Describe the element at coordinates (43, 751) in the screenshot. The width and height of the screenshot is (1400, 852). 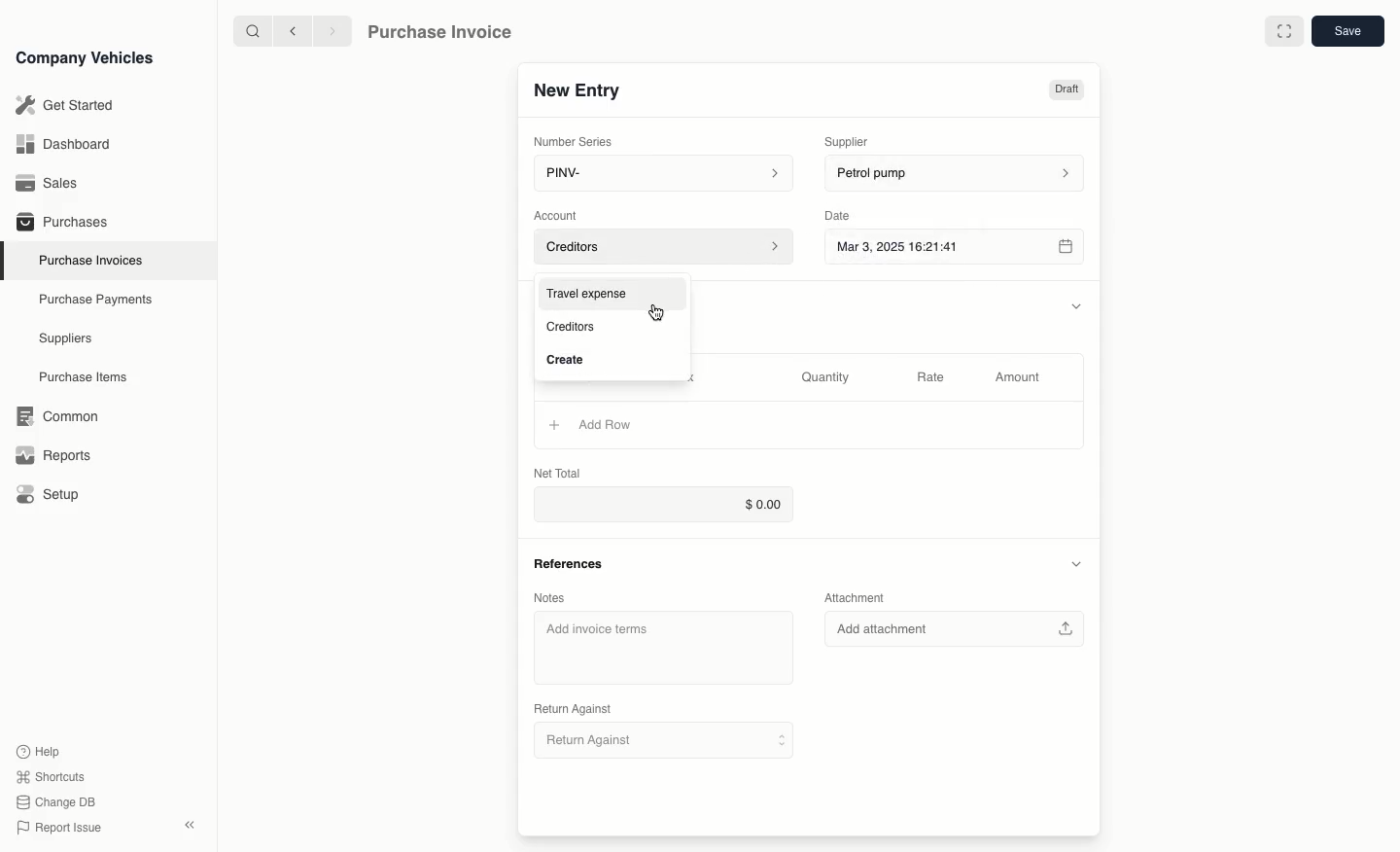
I see `Help` at that location.